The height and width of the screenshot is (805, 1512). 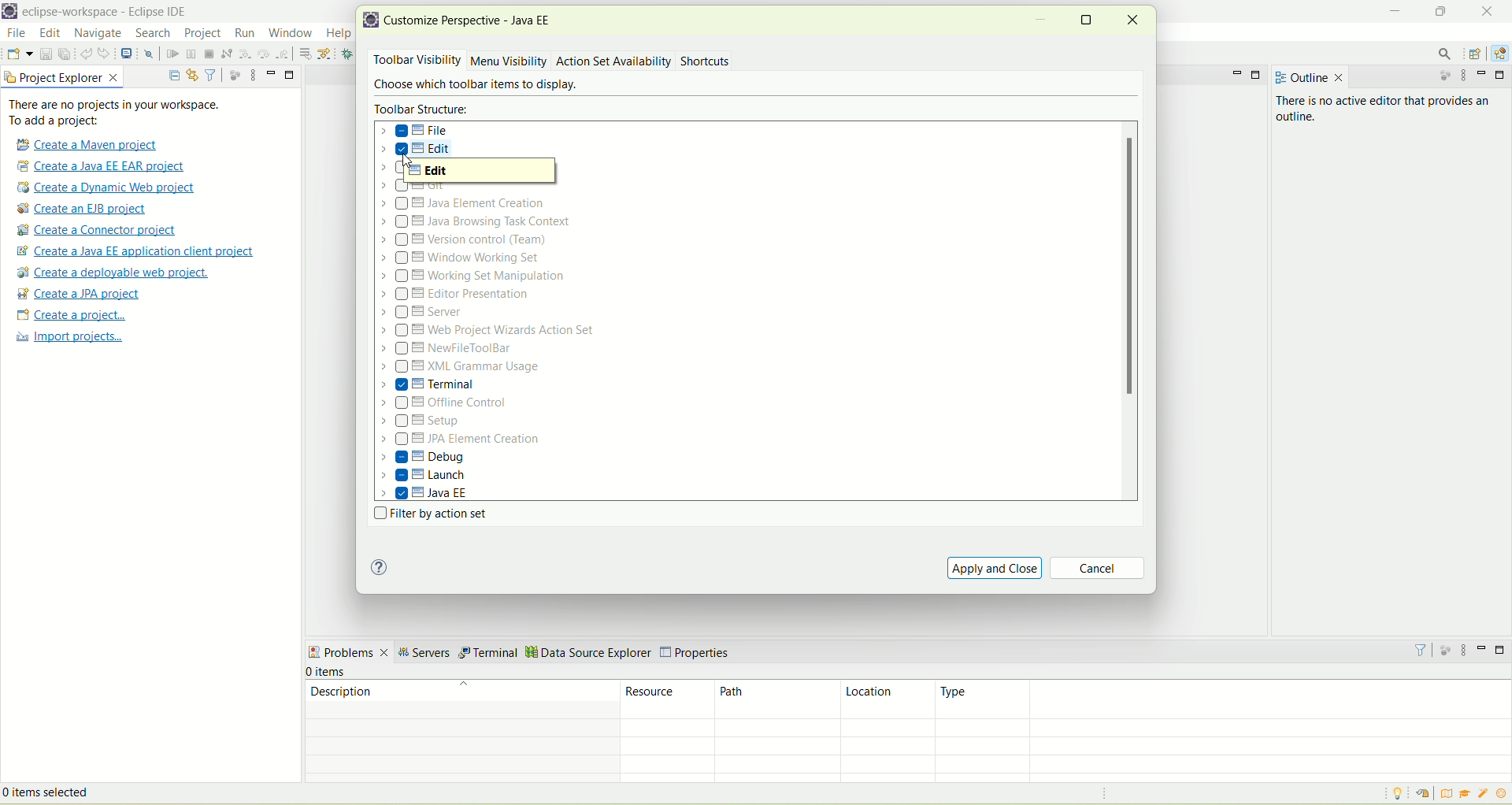 I want to click on terminate, so click(x=209, y=54).